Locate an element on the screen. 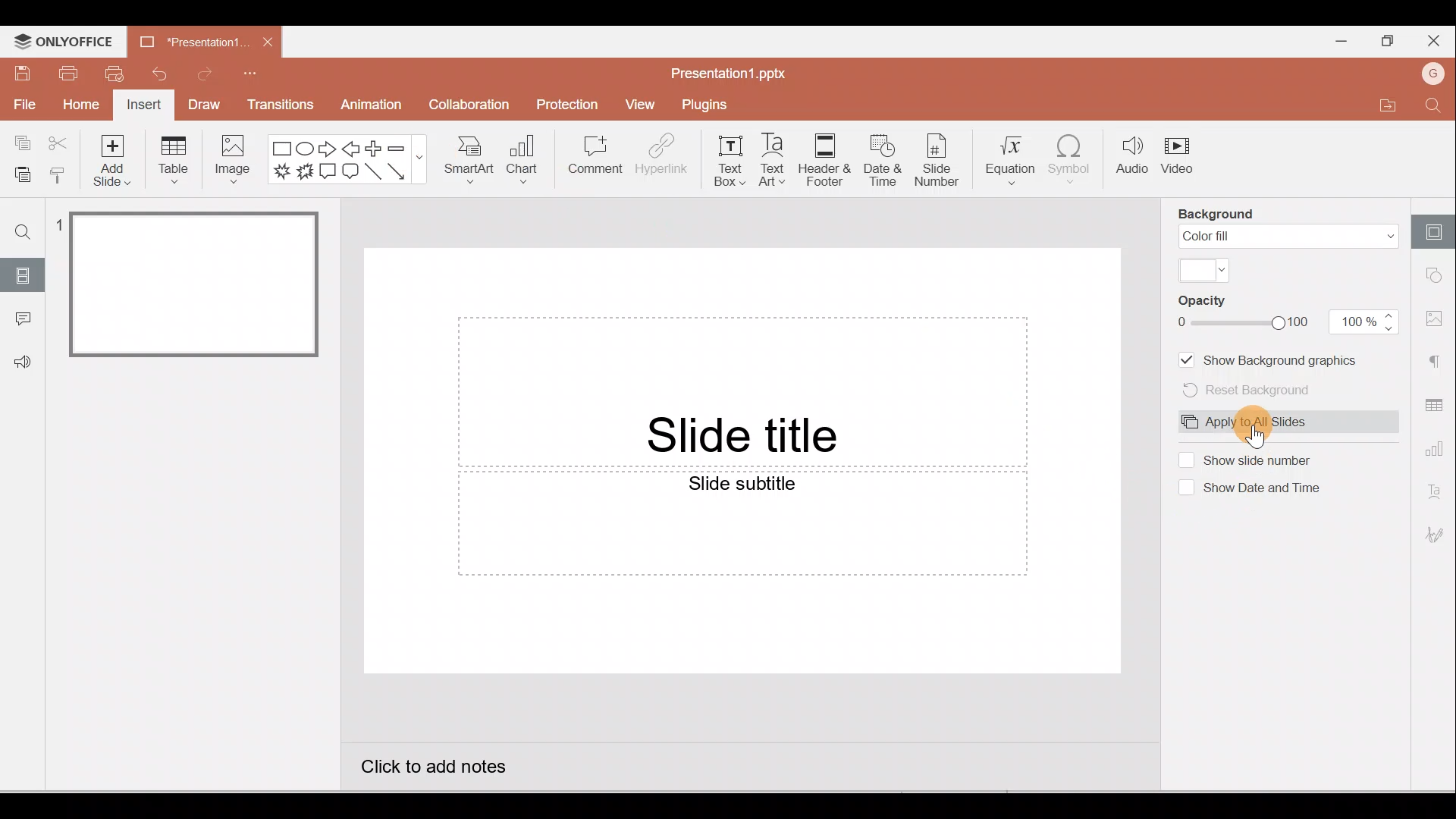 The width and height of the screenshot is (1456, 819). Right arrow is located at coordinates (328, 148).